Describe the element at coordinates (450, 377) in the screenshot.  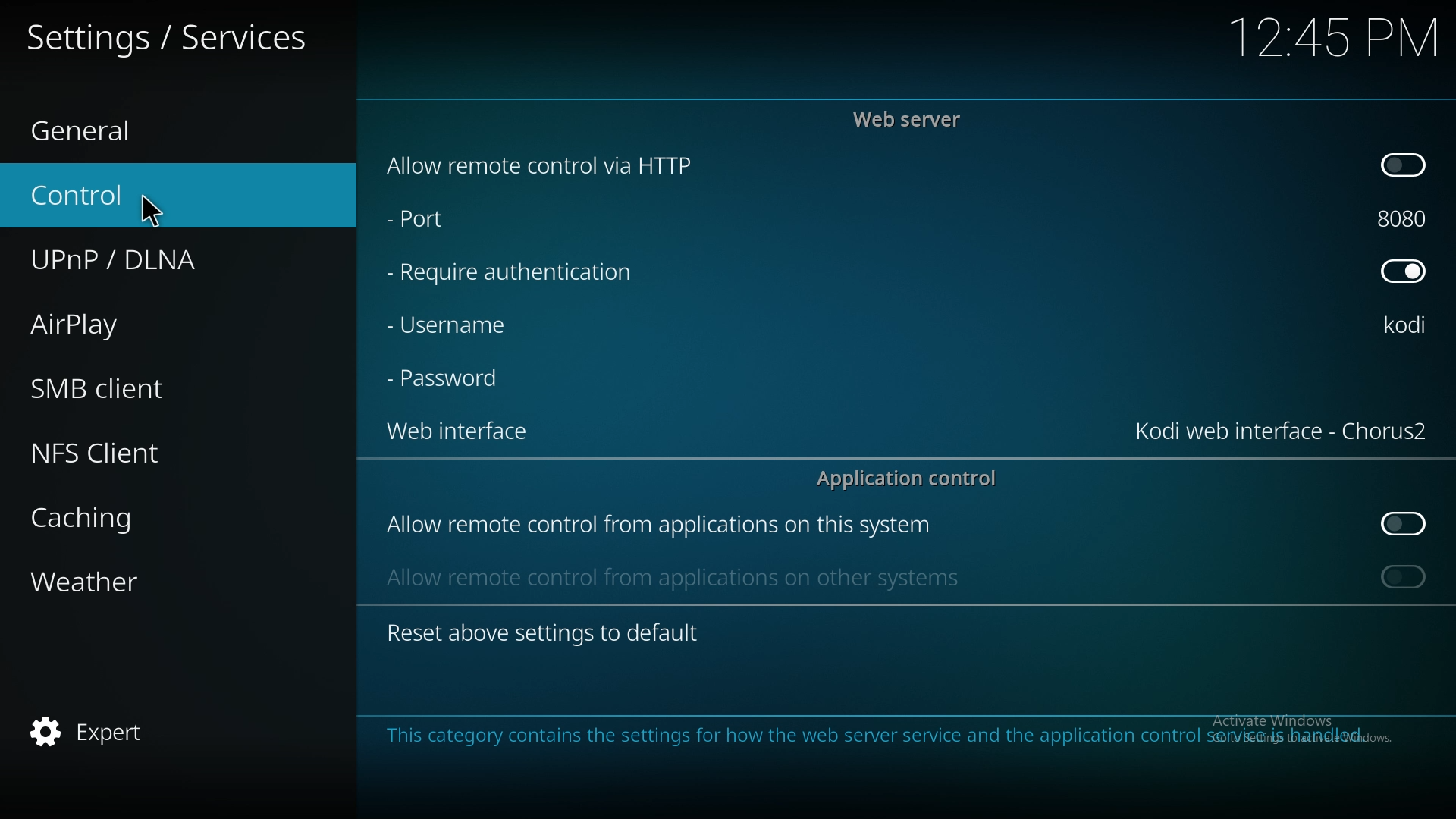
I see `password` at that location.